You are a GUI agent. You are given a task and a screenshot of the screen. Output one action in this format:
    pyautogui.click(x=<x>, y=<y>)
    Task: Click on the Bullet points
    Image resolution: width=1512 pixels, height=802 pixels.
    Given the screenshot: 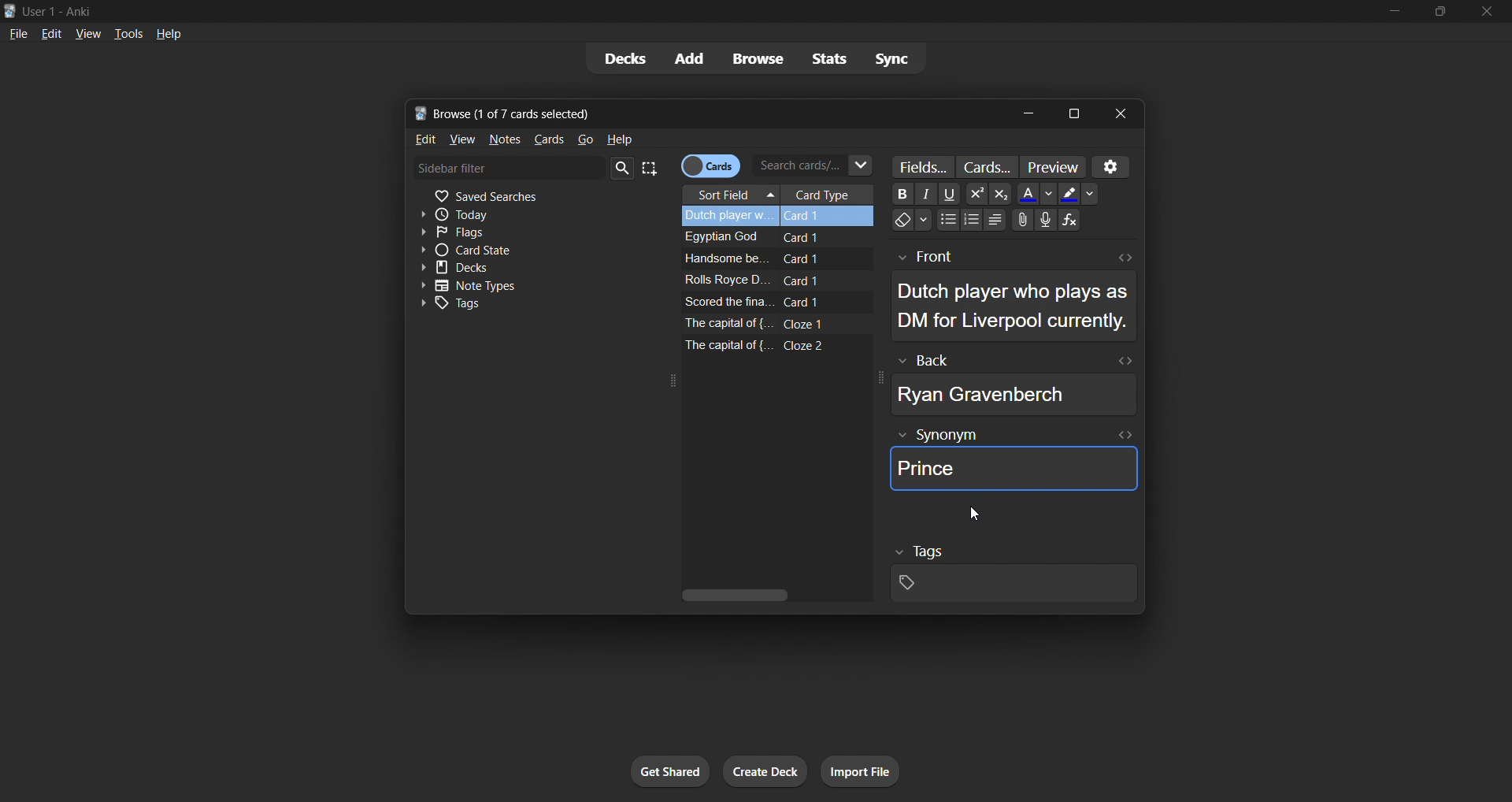 What is the action you would take?
    pyautogui.click(x=948, y=221)
    